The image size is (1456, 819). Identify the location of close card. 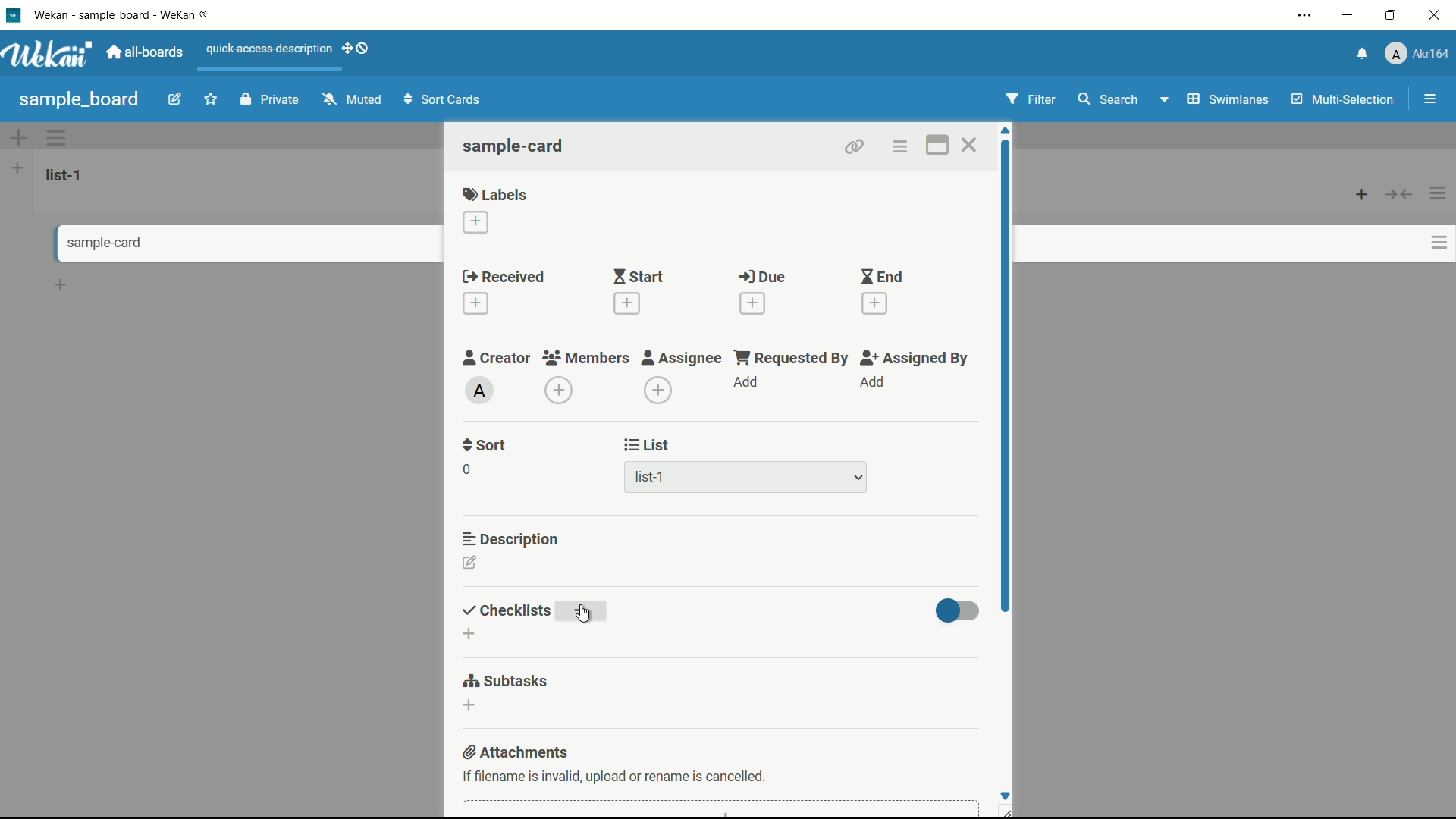
(968, 147).